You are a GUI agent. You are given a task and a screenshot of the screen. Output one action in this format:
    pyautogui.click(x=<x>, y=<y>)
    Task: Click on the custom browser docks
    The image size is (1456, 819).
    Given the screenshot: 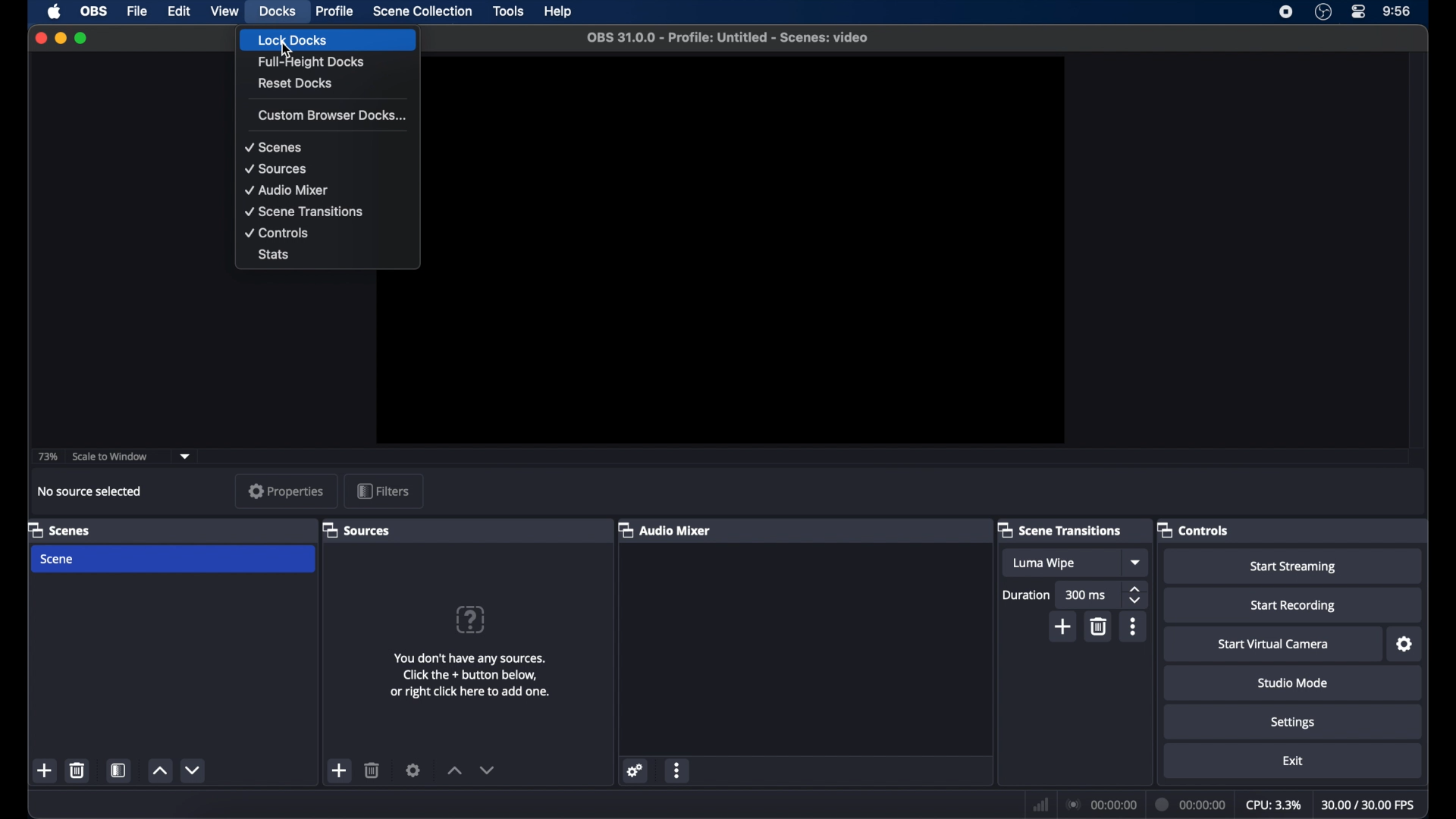 What is the action you would take?
    pyautogui.click(x=333, y=115)
    